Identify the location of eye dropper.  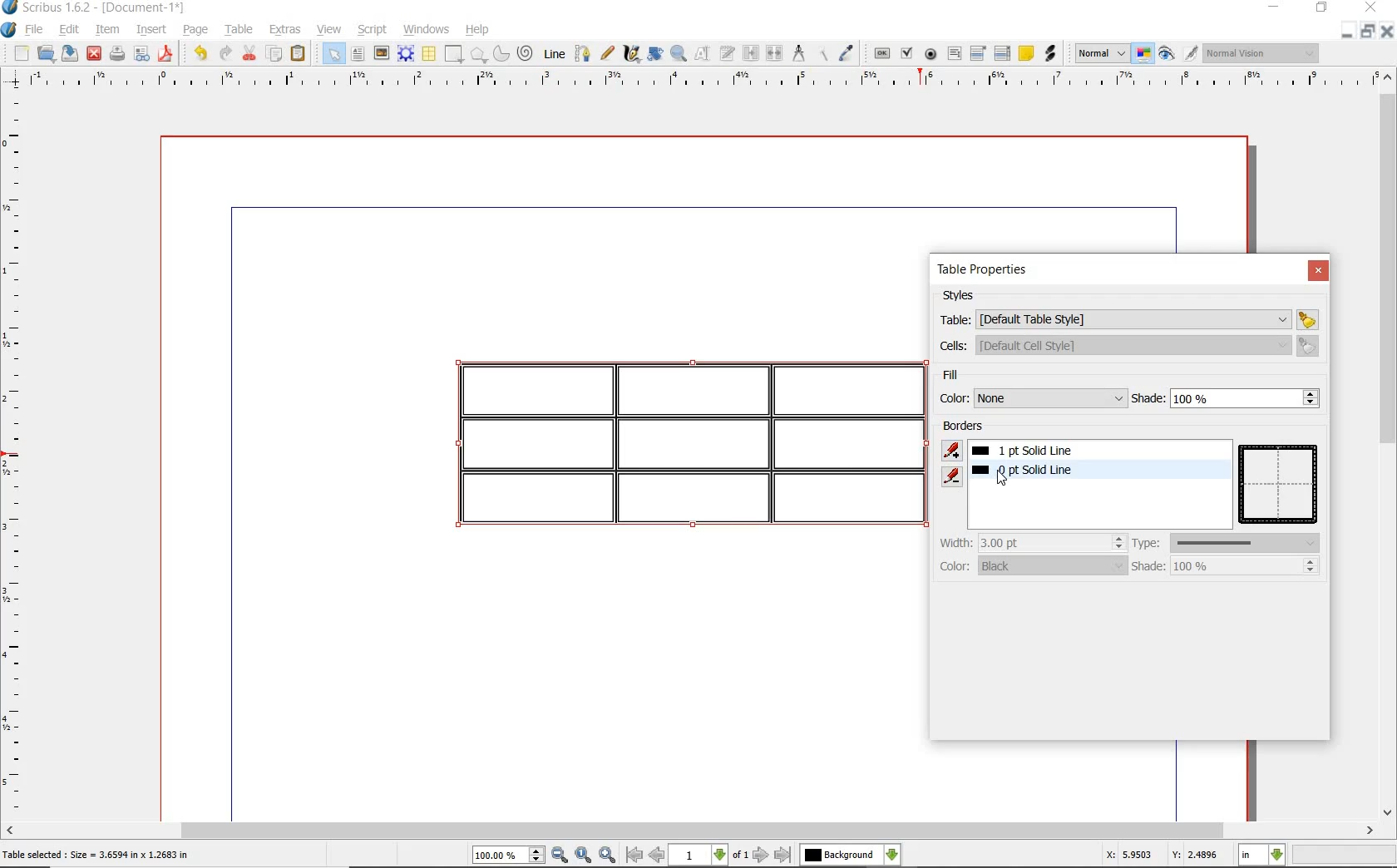
(847, 55).